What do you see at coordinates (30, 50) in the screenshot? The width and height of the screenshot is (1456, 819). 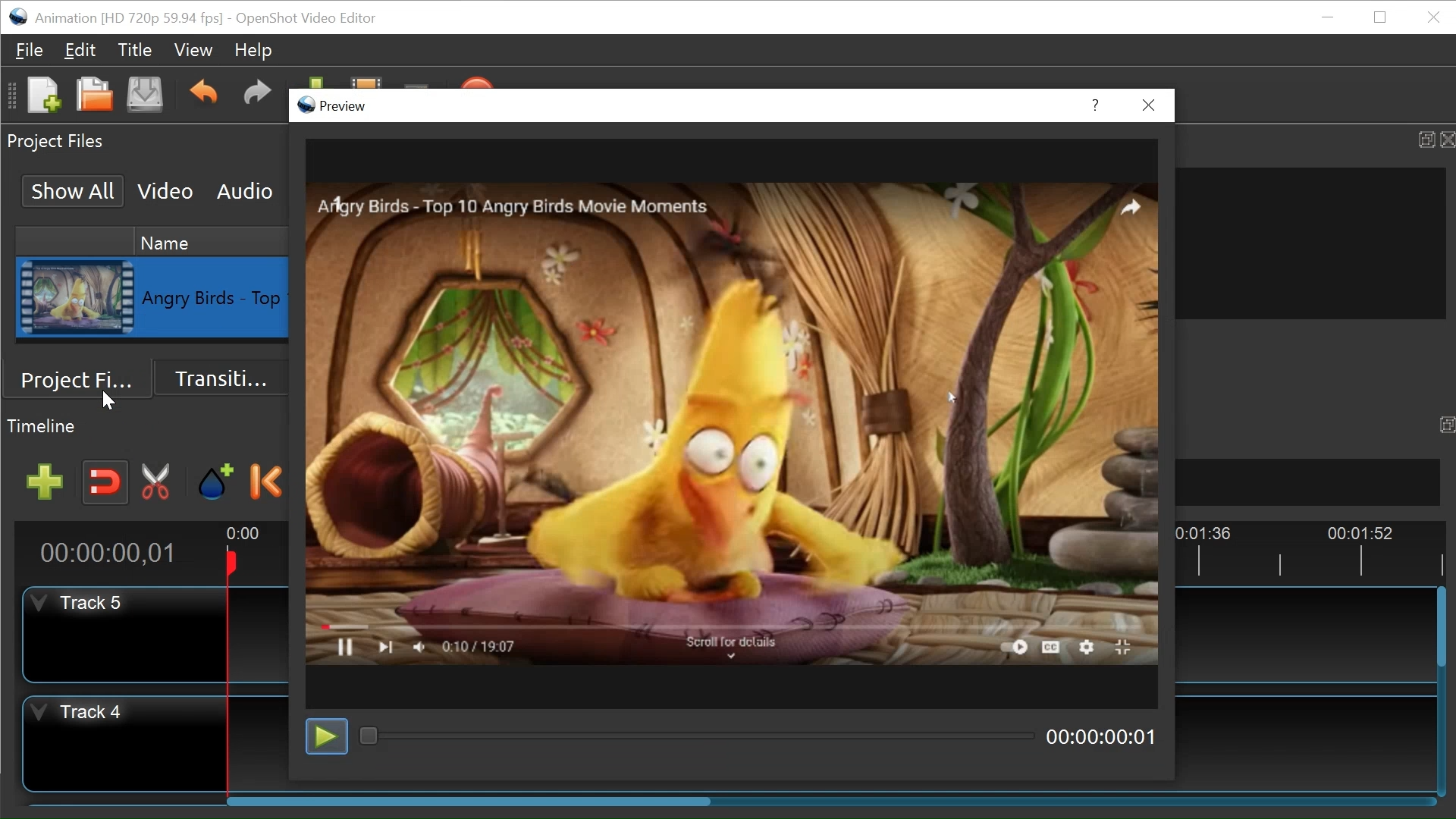 I see `File` at bounding box center [30, 50].